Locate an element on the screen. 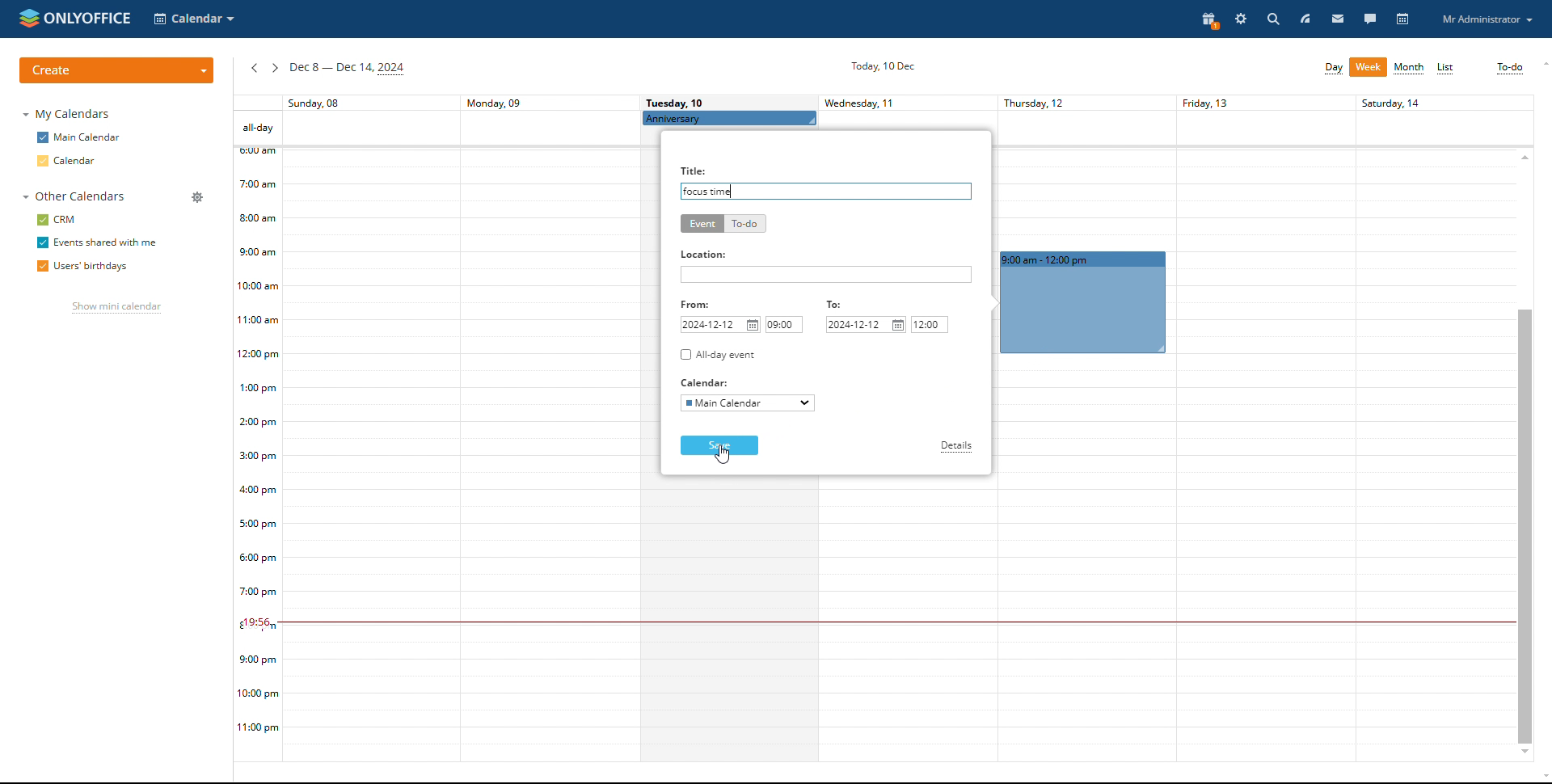 This screenshot has width=1552, height=784. all-day events is located at coordinates (257, 128).